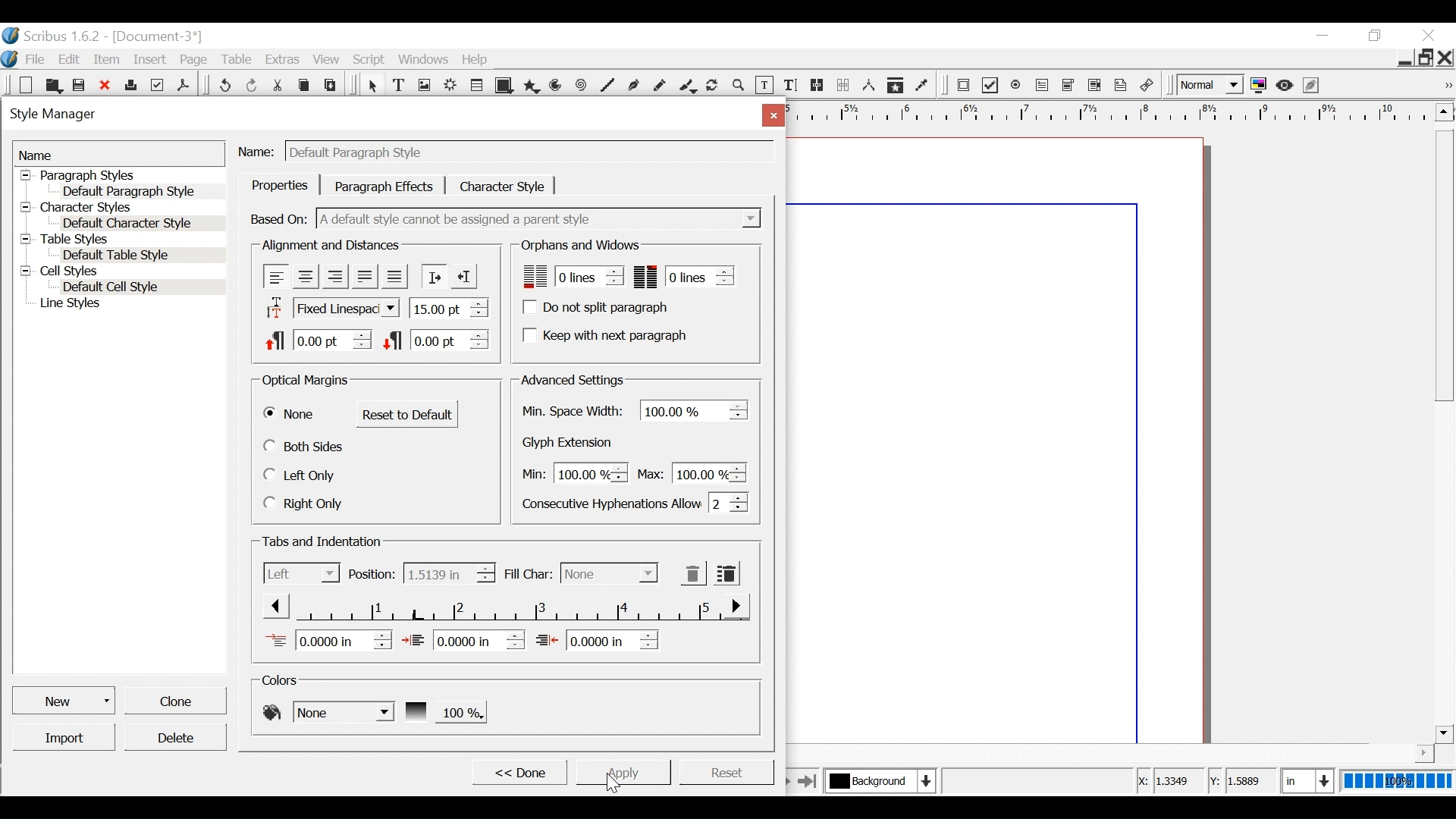 This screenshot has height=819, width=1456. What do you see at coordinates (279, 83) in the screenshot?
I see `Cut` at bounding box center [279, 83].